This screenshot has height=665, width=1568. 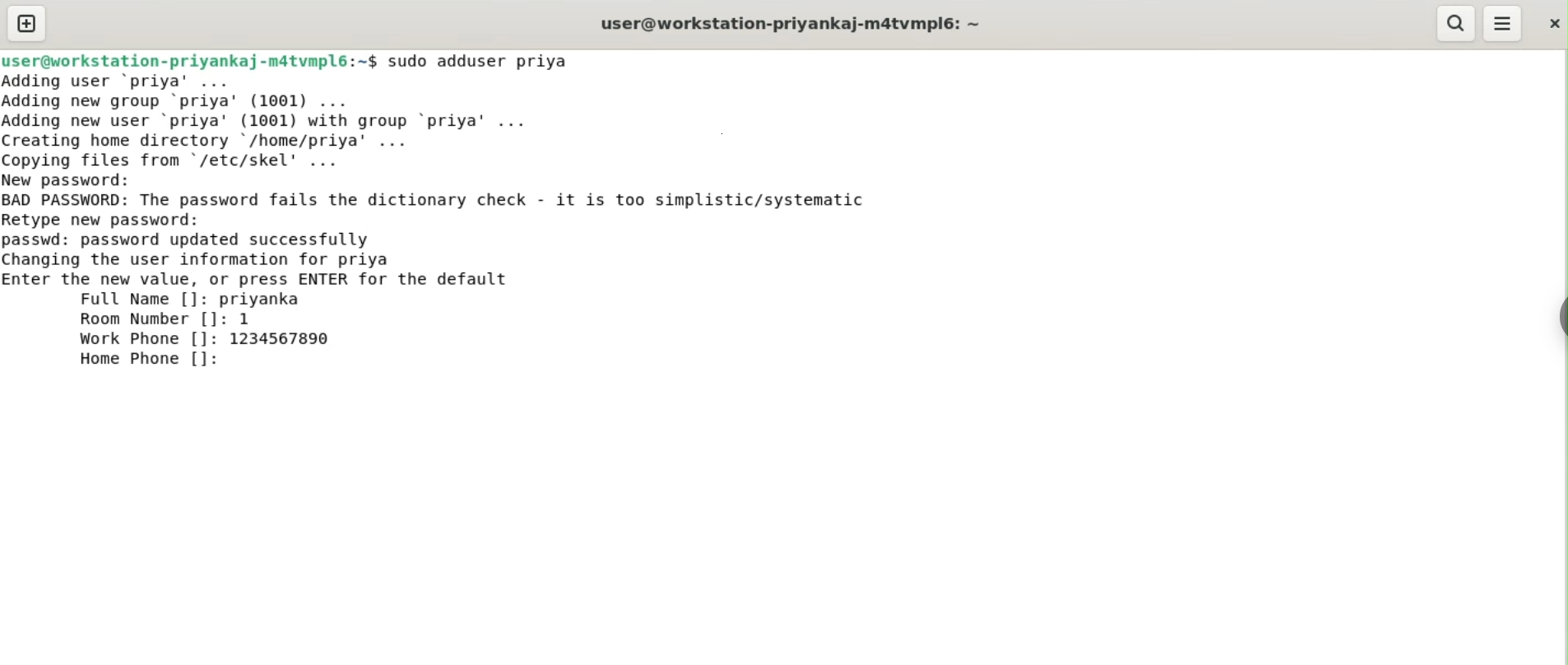 What do you see at coordinates (1454, 23) in the screenshot?
I see `search` at bounding box center [1454, 23].